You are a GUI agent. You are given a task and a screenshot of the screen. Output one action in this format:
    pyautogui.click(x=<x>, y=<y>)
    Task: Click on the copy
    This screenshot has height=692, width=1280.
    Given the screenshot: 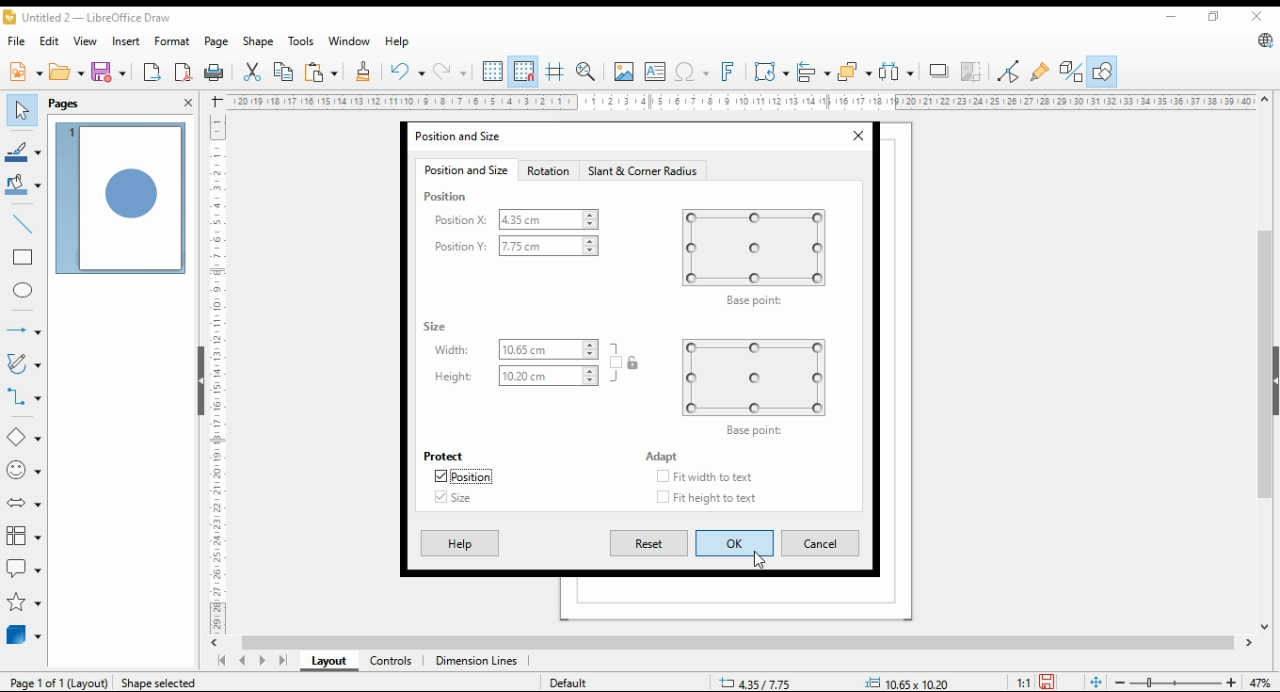 What is the action you would take?
    pyautogui.click(x=284, y=72)
    